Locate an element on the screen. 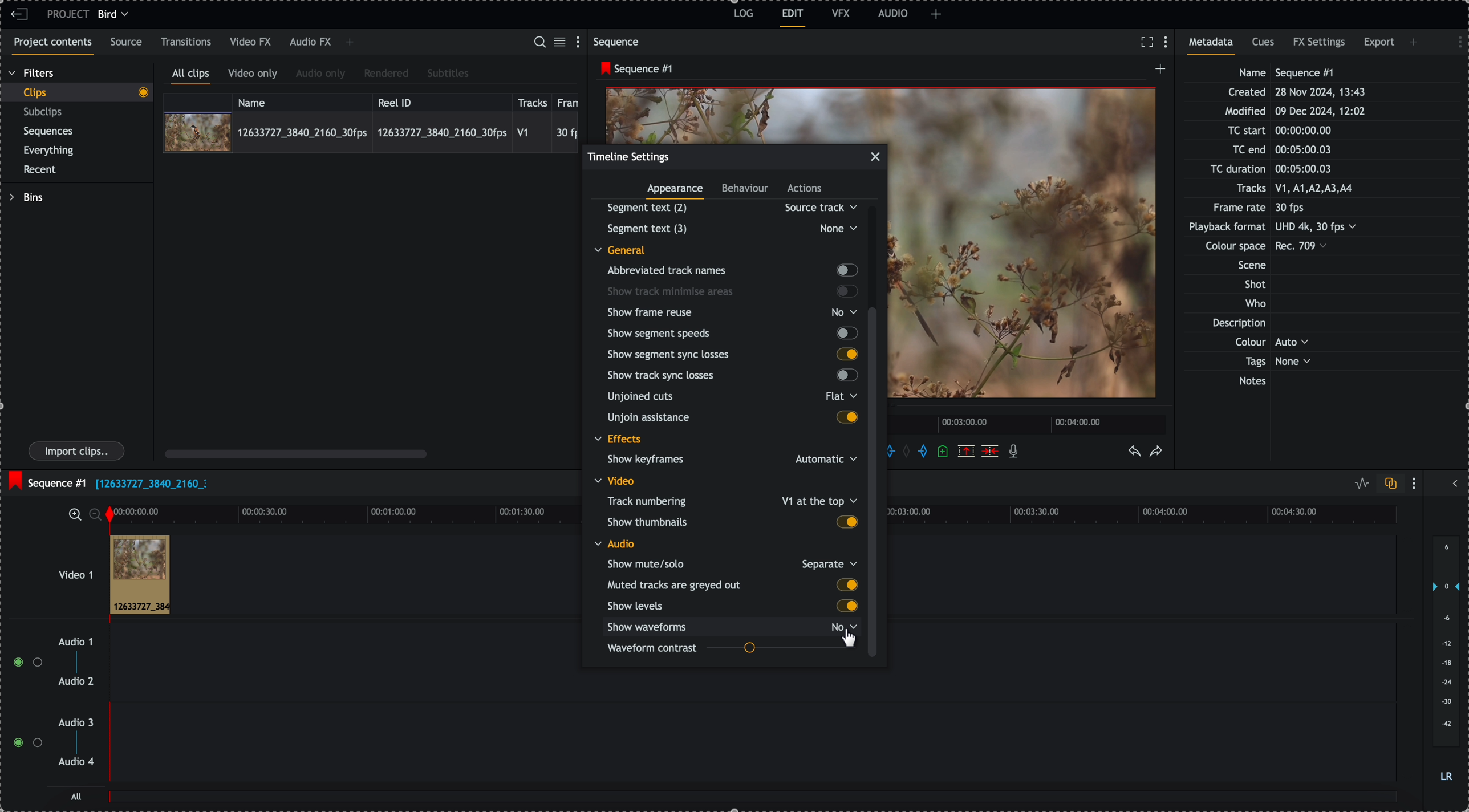 The image size is (1469, 812). add 'out' mark is located at coordinates (922, 452).